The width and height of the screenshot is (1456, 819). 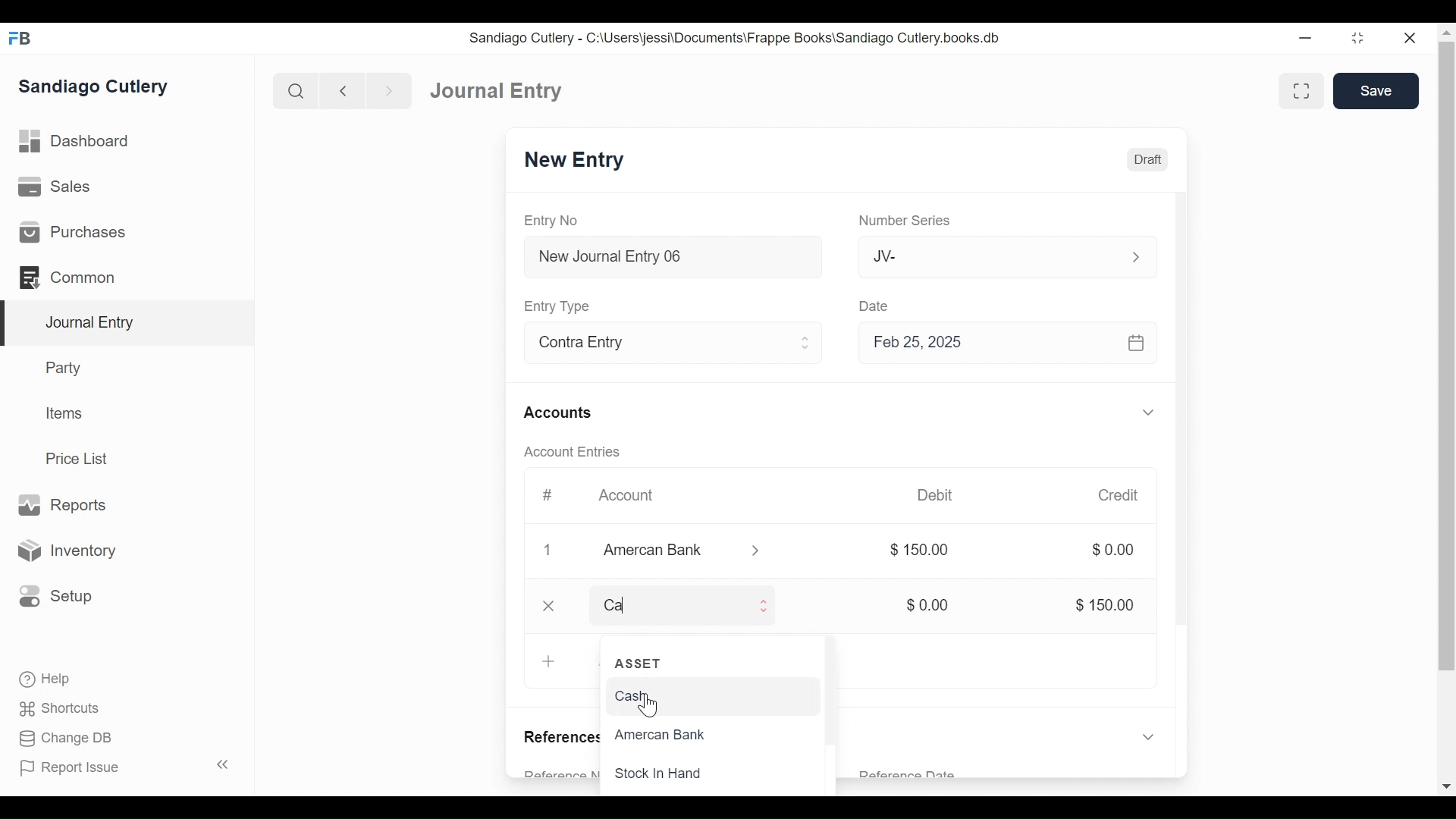 I want to click on $ 150.00, so click(x=1101, y=604).